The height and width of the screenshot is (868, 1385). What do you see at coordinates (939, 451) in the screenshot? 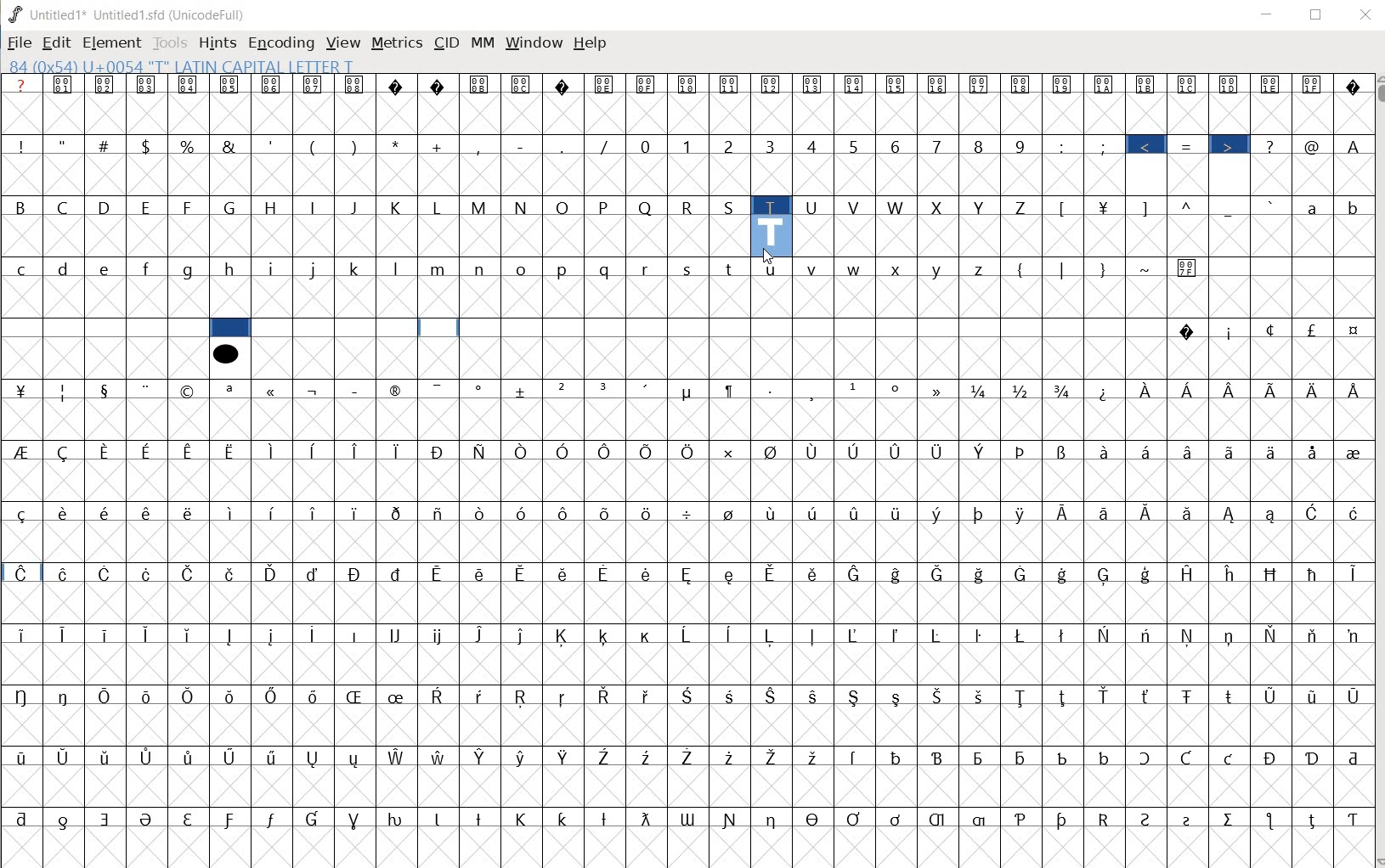
I see `Symbol` at bounding box center [939, 451].